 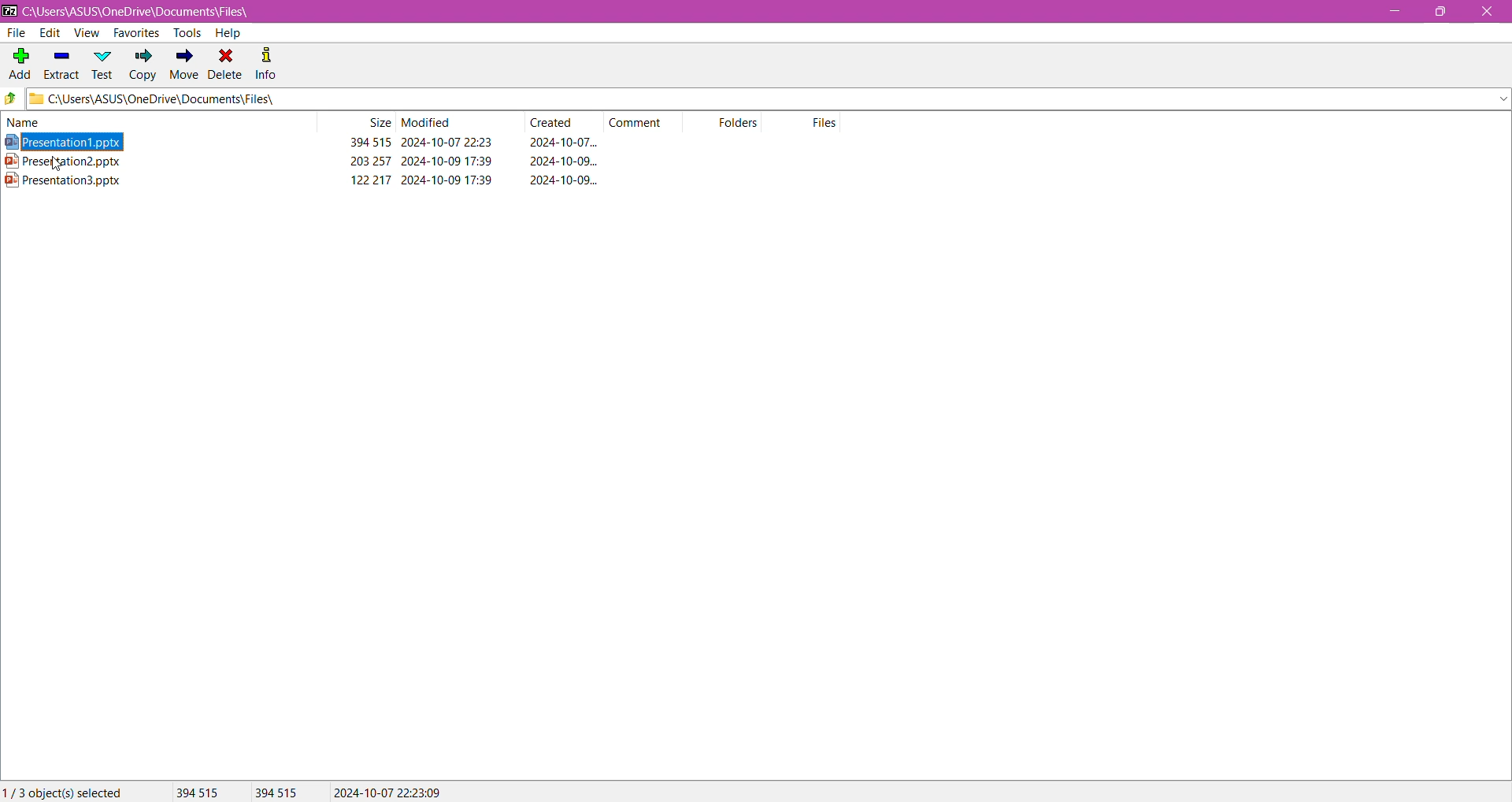 What do you see at coordinates (57, 166) in the screenshot?
I see `cursor` at bounding box center [57, 166].